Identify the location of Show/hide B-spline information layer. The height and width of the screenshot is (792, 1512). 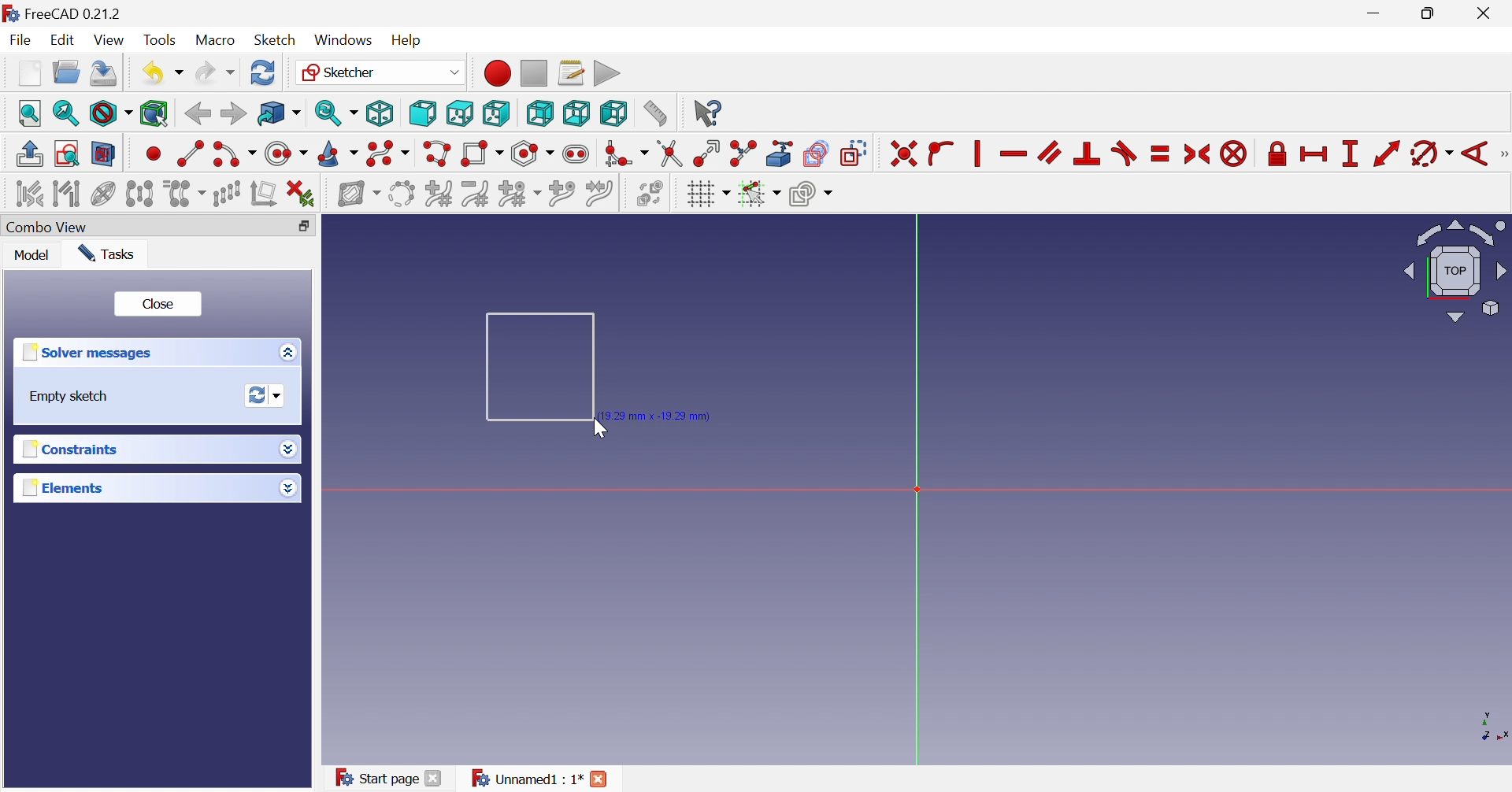
(359, 194).